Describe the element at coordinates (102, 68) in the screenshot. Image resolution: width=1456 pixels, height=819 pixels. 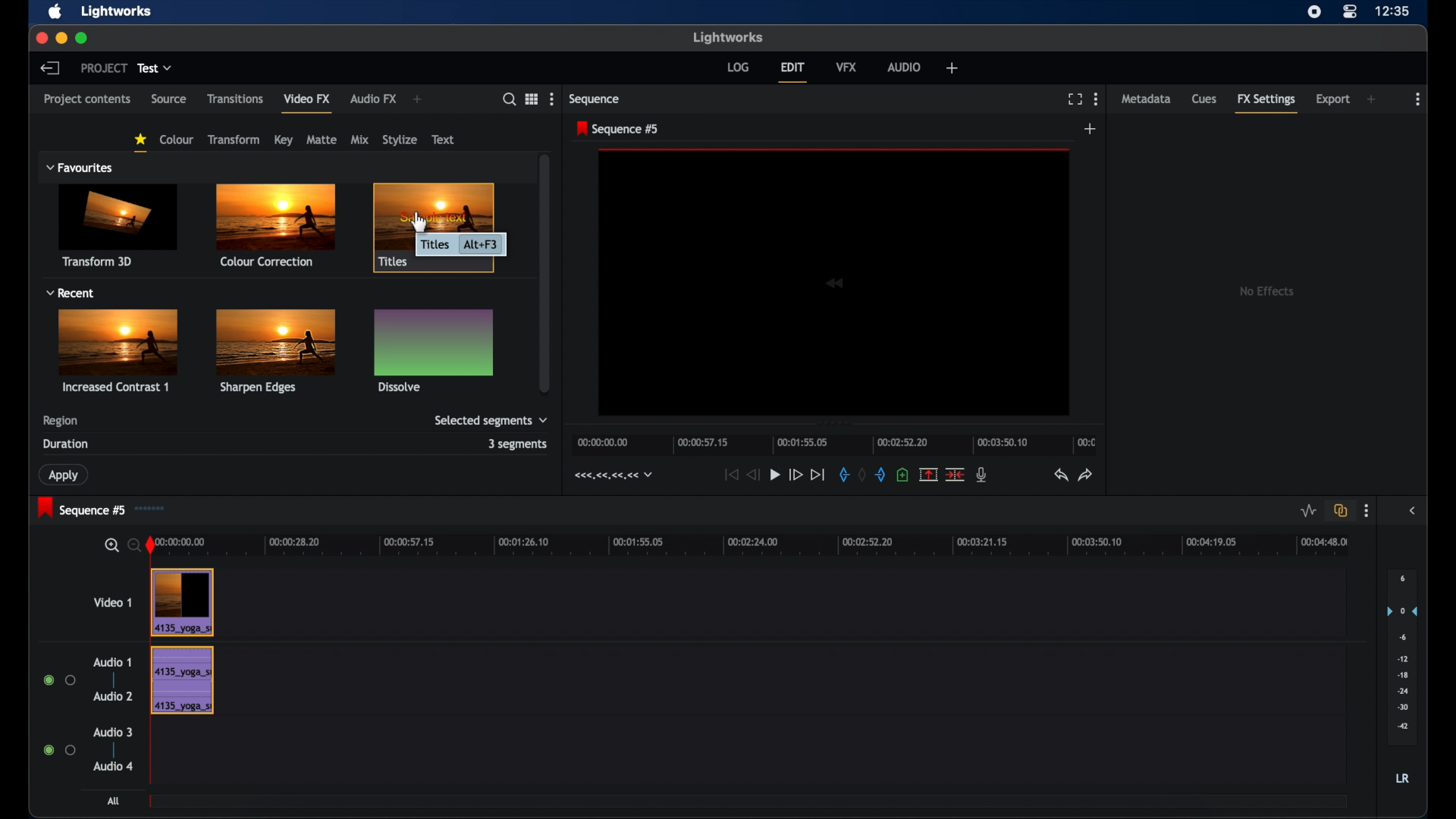
I see `project` at that location.